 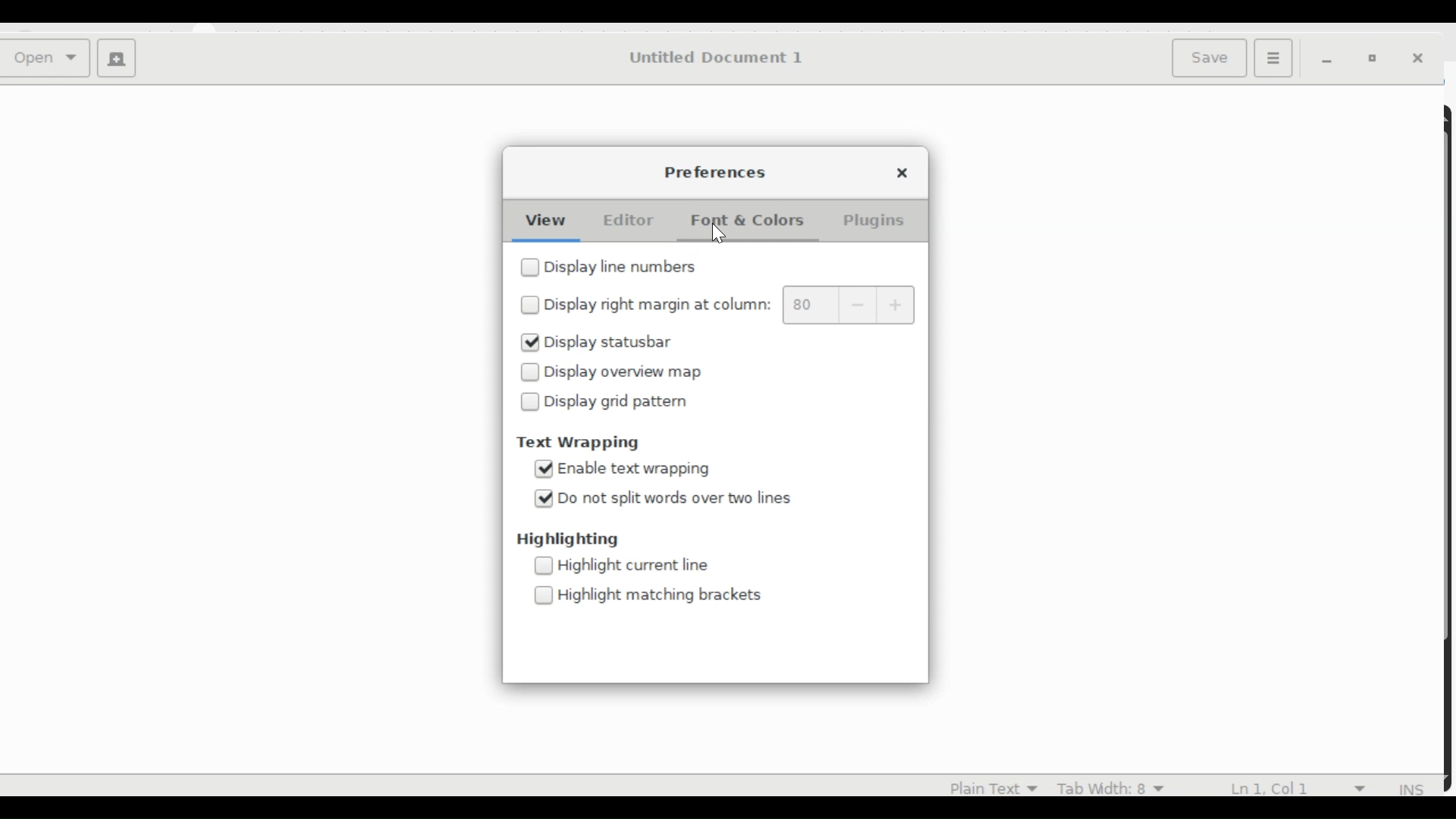 I want to click on INS, so click(x=1413, y=789).